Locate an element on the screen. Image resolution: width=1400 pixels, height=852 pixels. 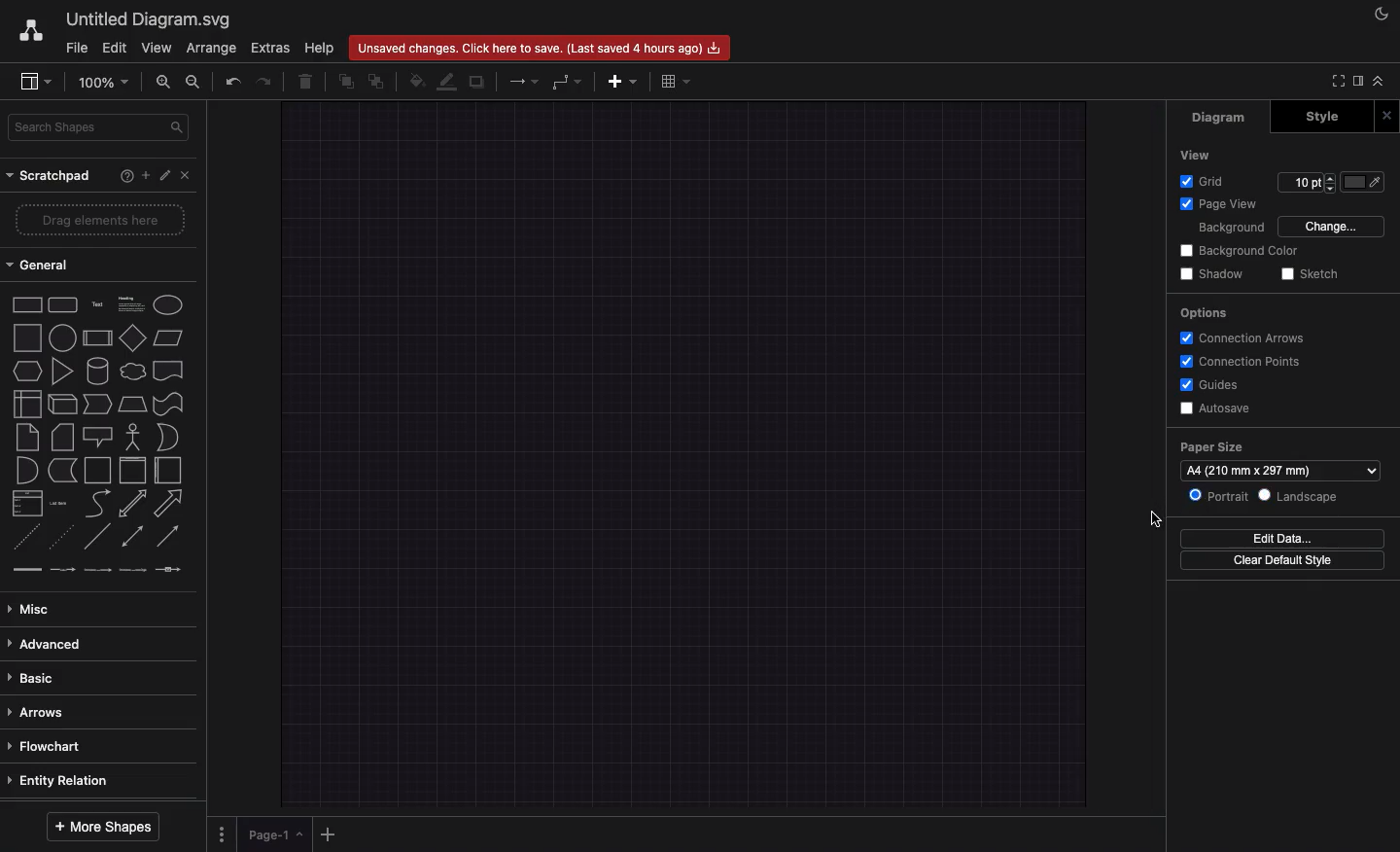
Diagram is located at coordinates (1220, 117).